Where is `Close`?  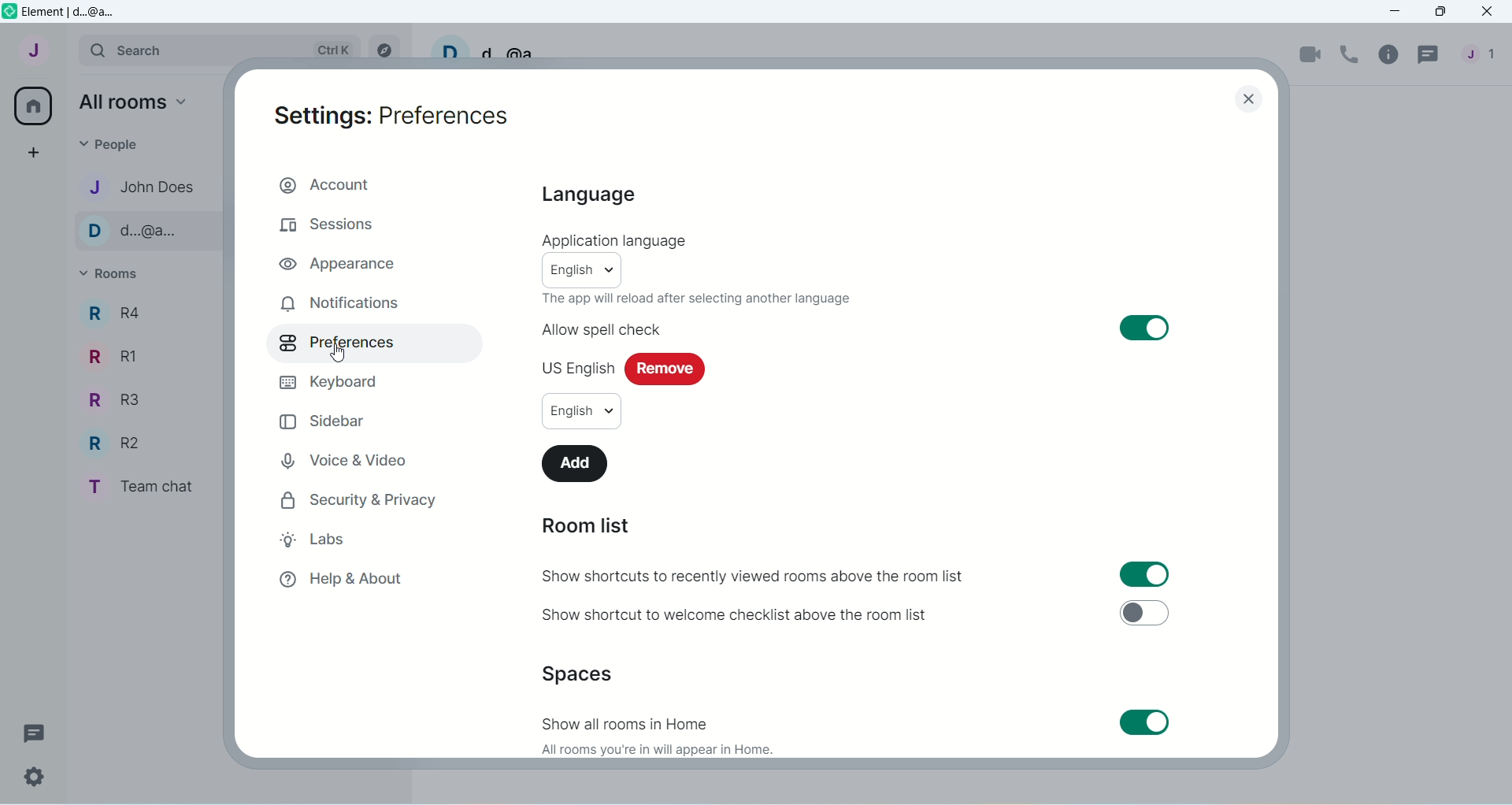 Close is located at coordinates (1490, 10).